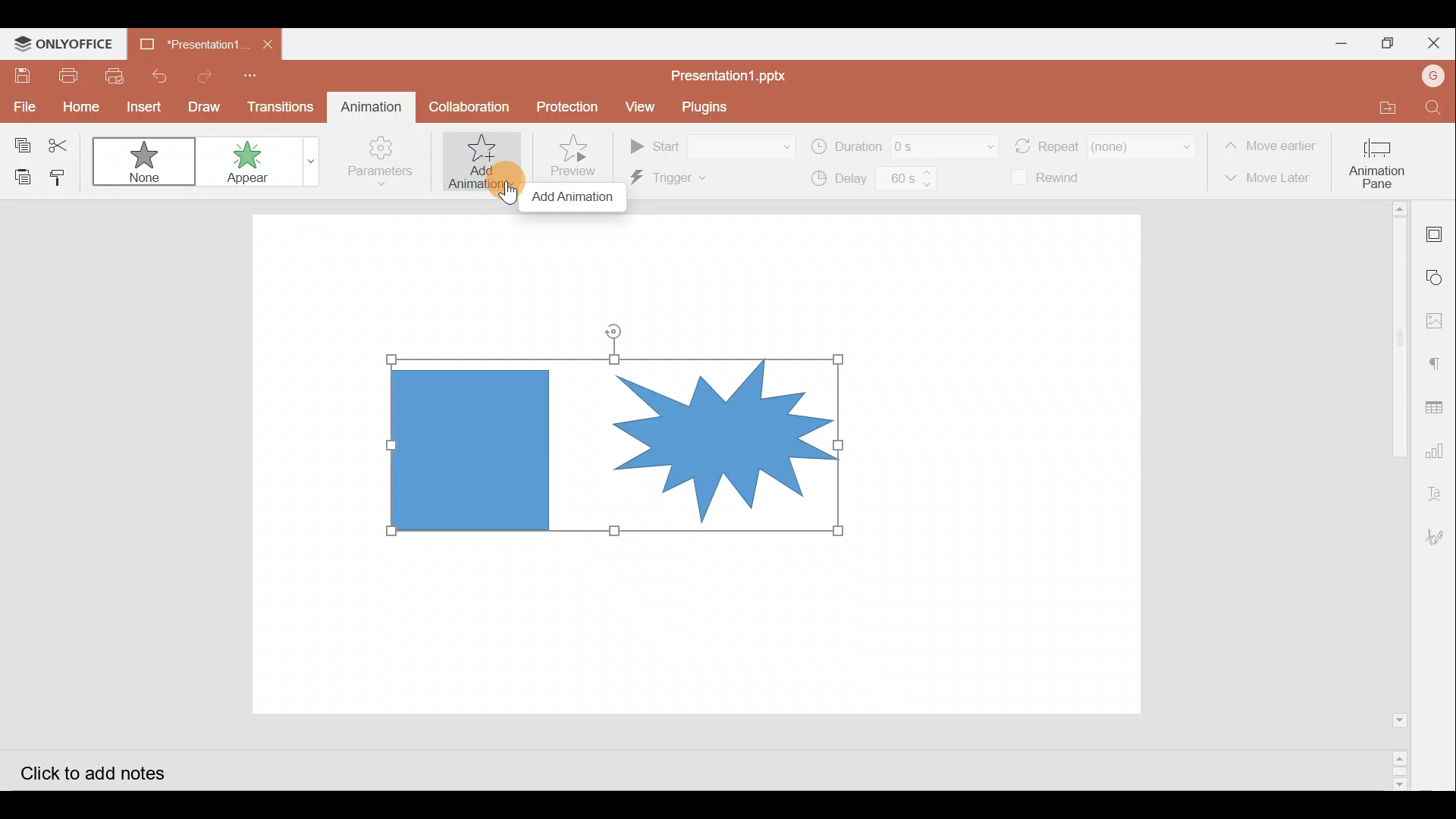  I want to click on Account name, so click(1428, 76).